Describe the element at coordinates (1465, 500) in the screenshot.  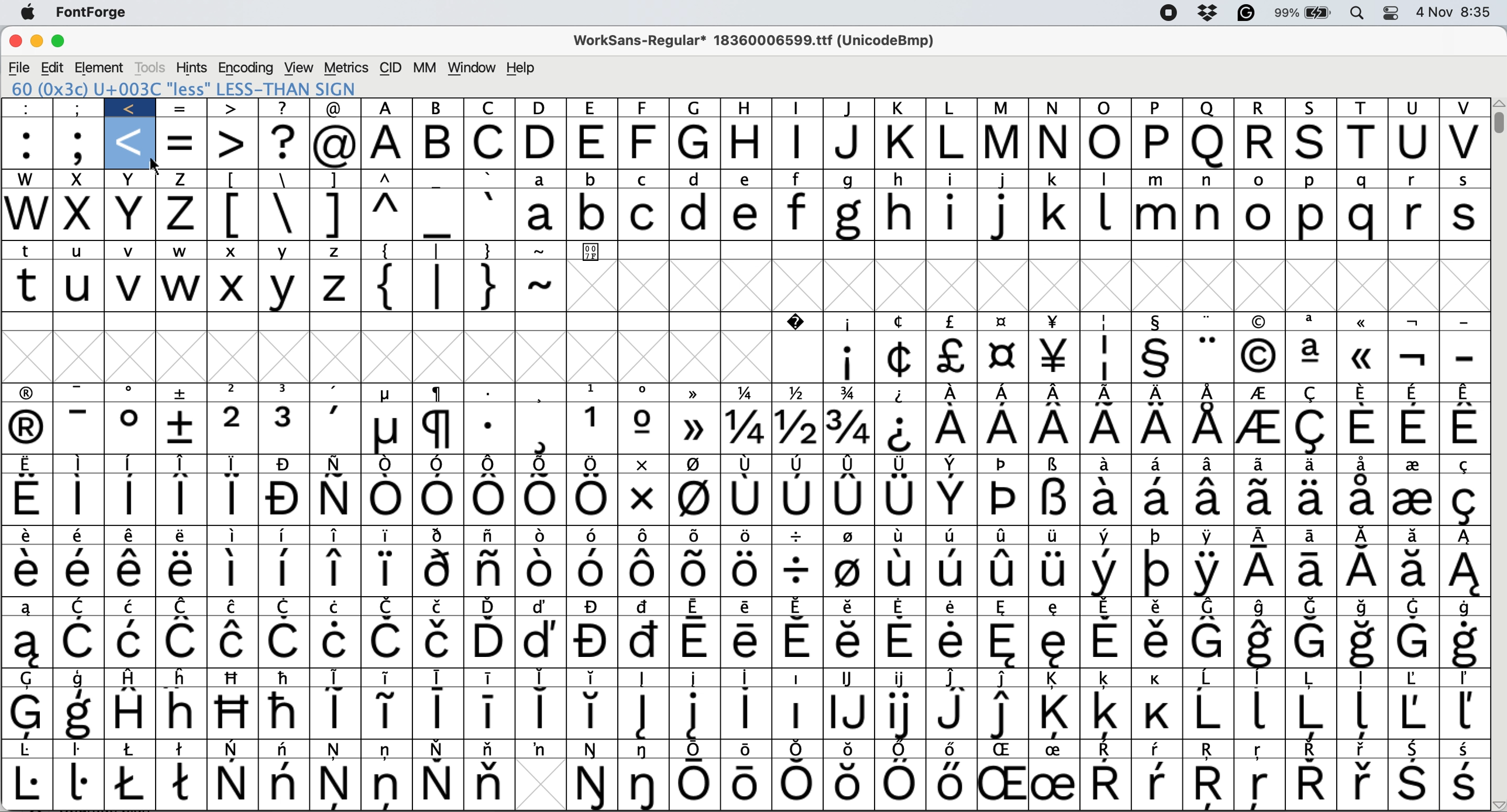
I see `Symbol` at that location.